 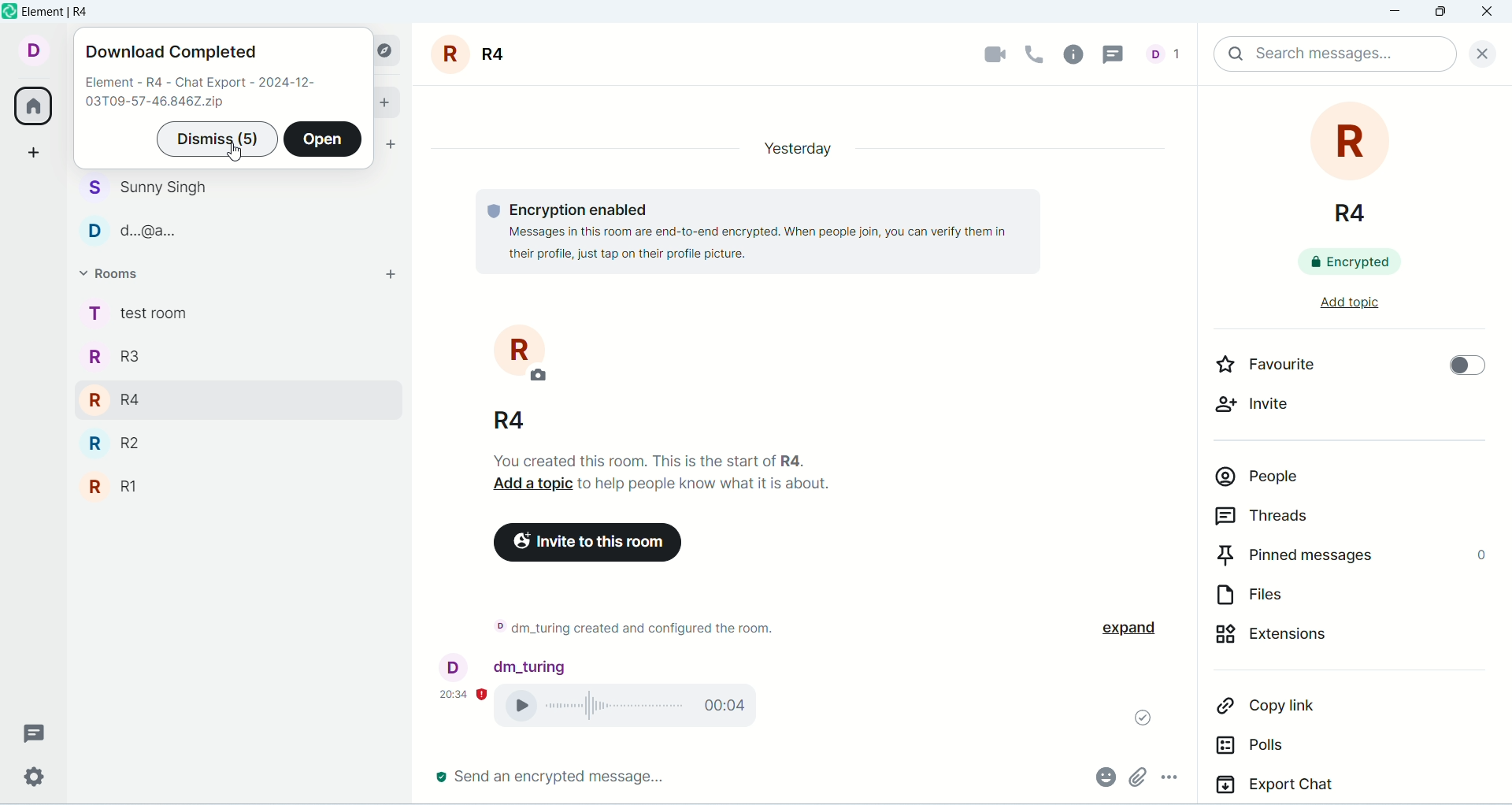 I want to click on room, so click(x=1354, y=165).